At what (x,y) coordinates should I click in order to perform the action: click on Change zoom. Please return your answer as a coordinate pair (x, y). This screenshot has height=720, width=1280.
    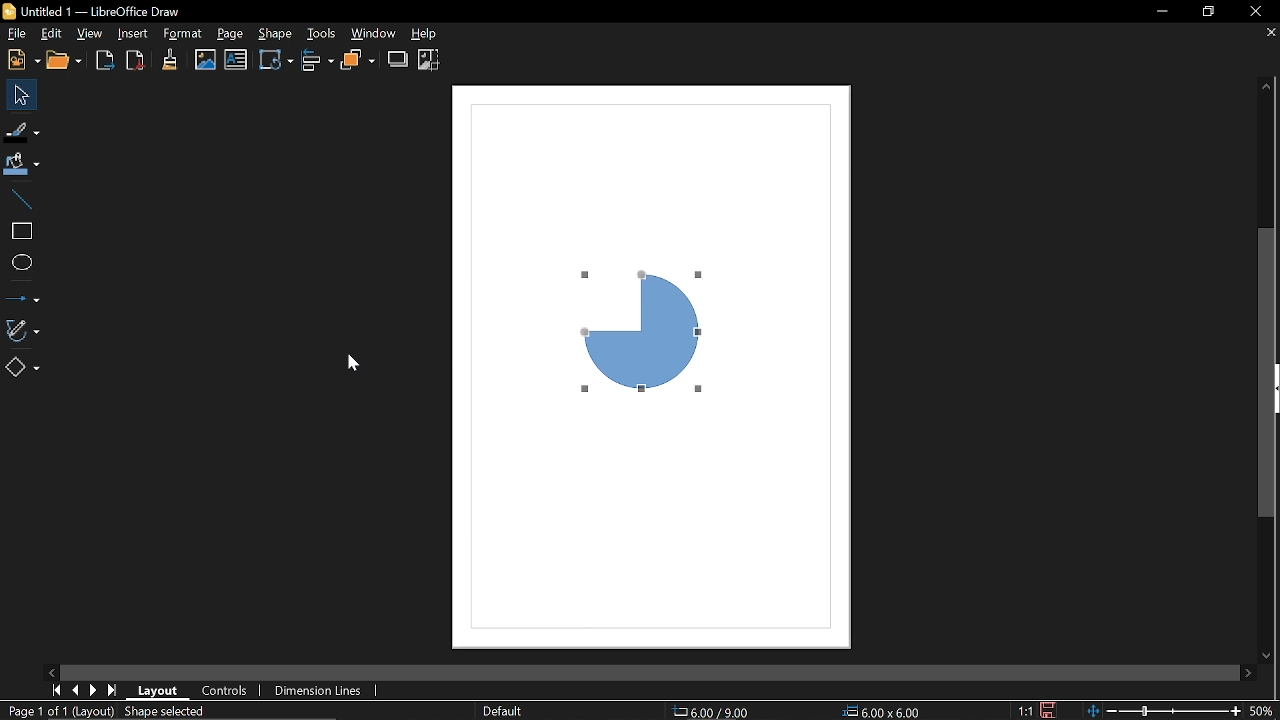
    Looking at the image, I should click on (1165, 711).